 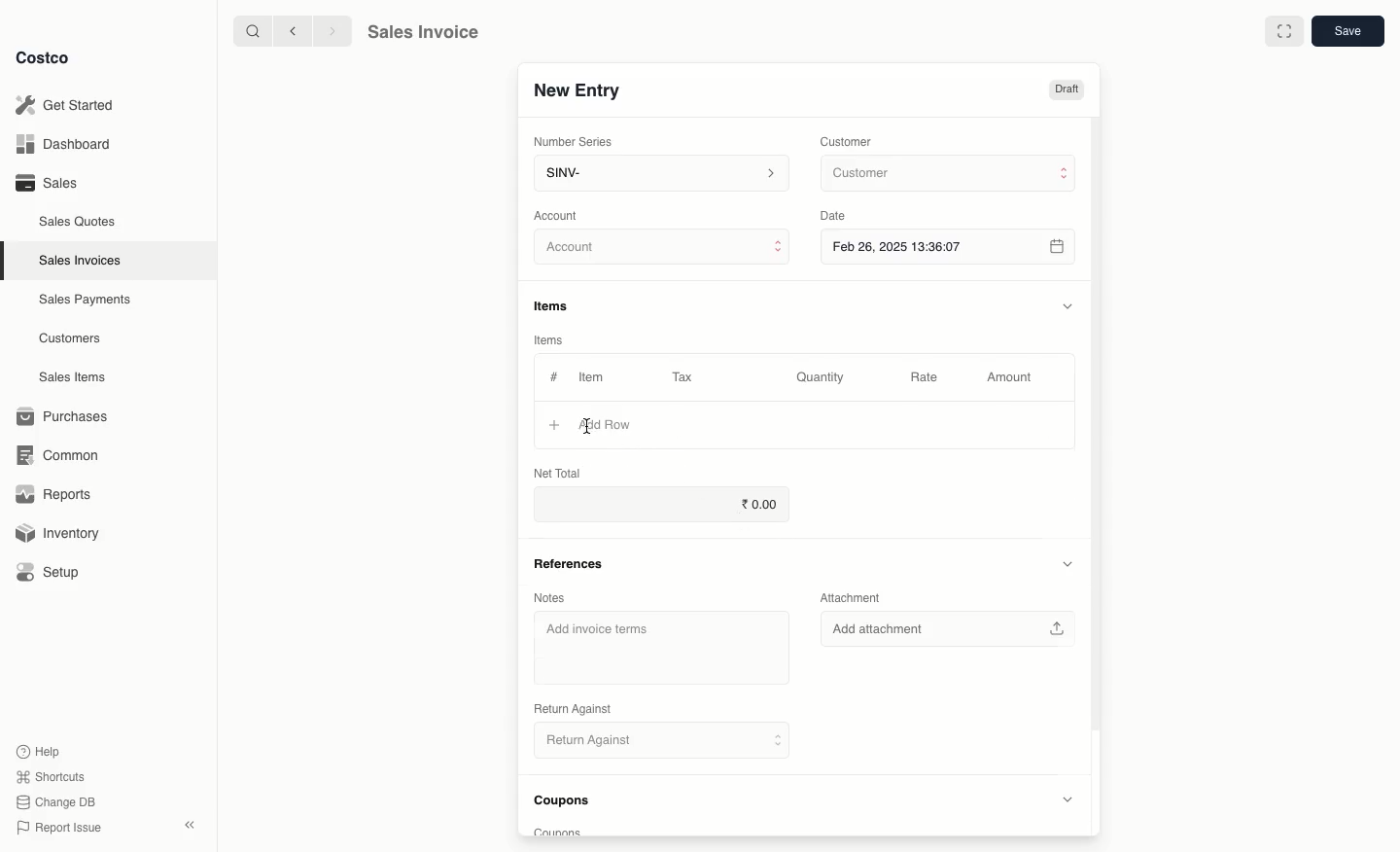 I want to click on Item, so click(x=594, y=379).